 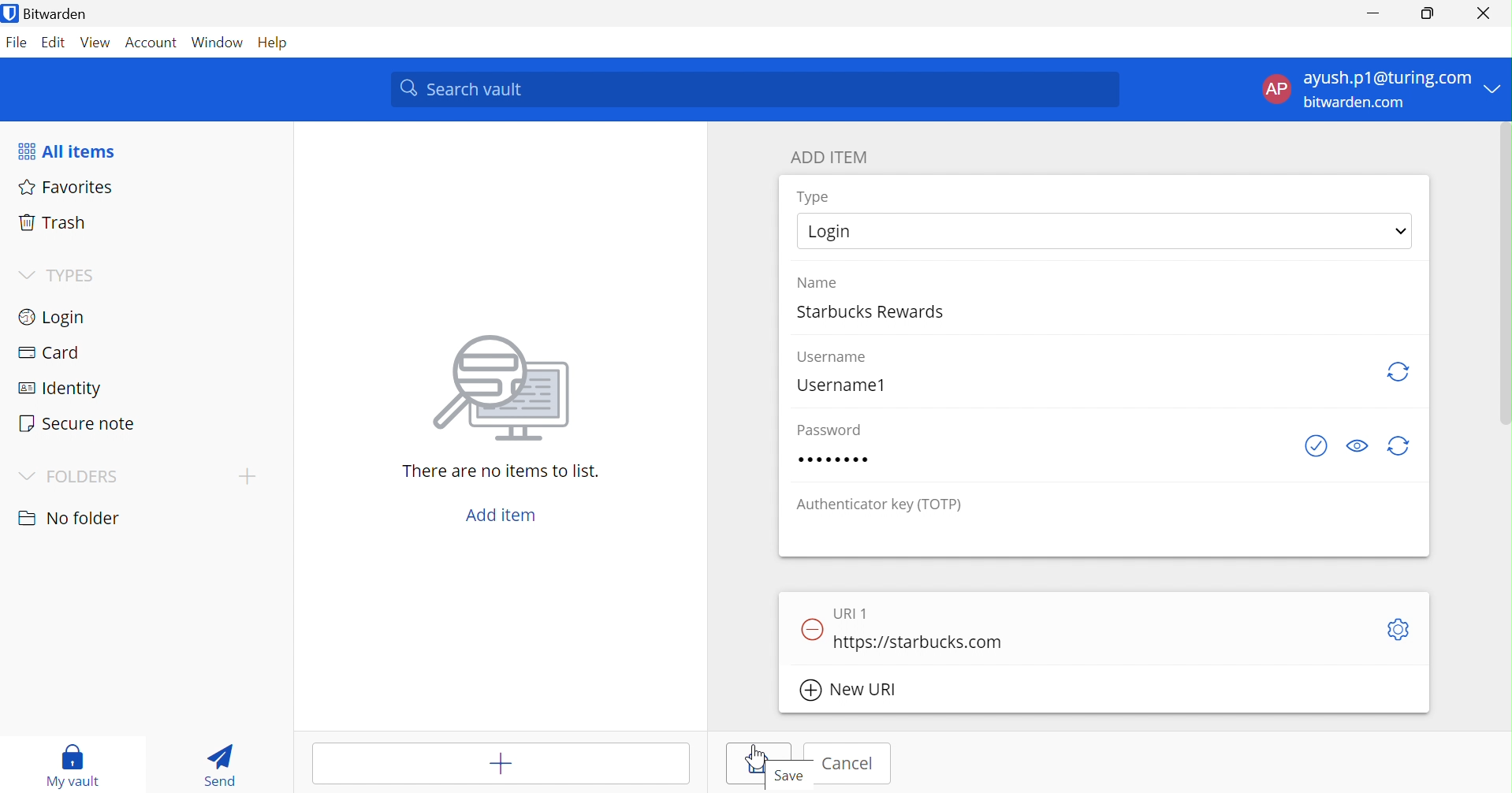 I want to click on Add item, so click(x=473, y=763).